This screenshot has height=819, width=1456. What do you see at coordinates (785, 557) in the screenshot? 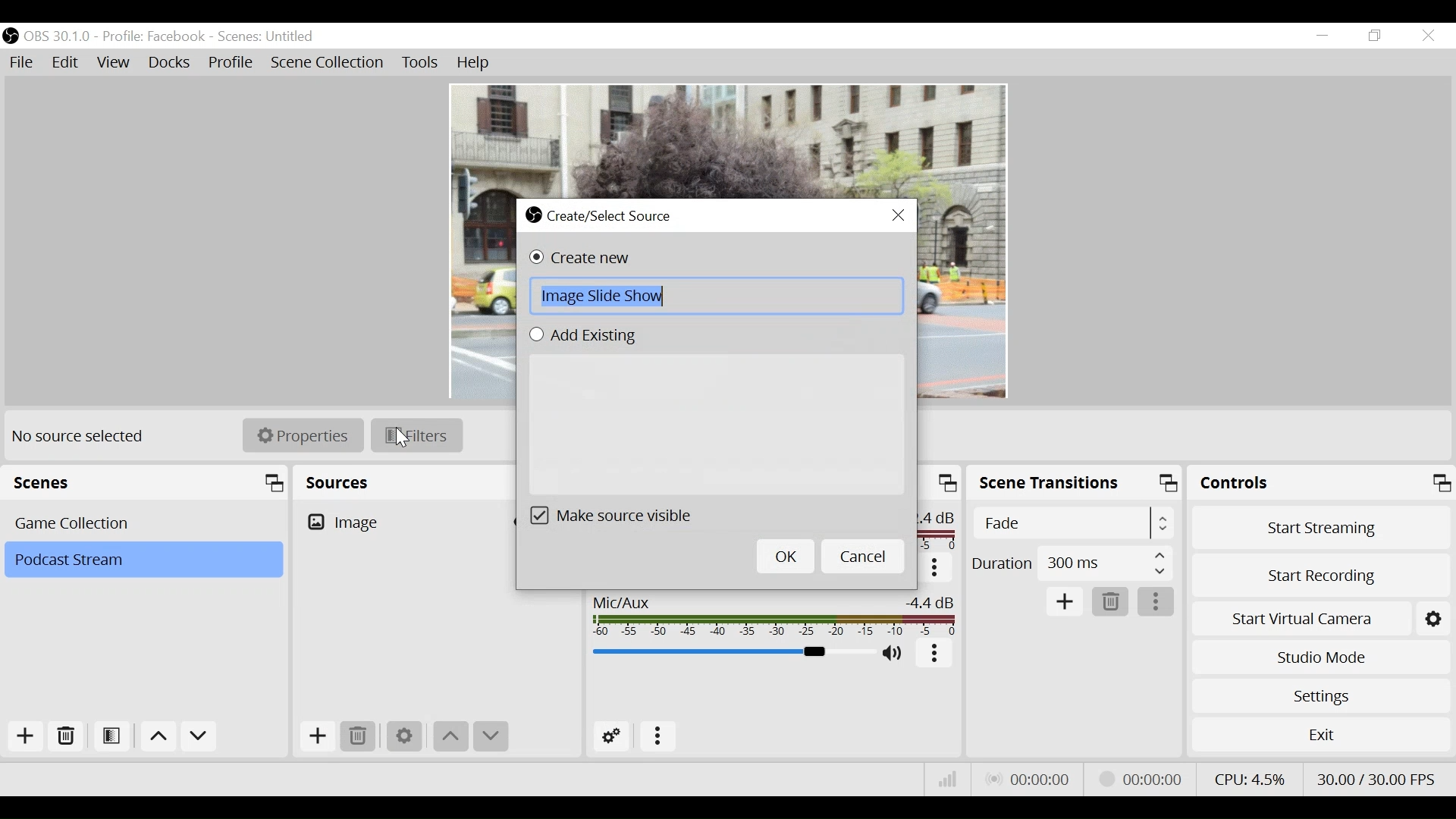
I see `OK` at bounding box center [785, 557].